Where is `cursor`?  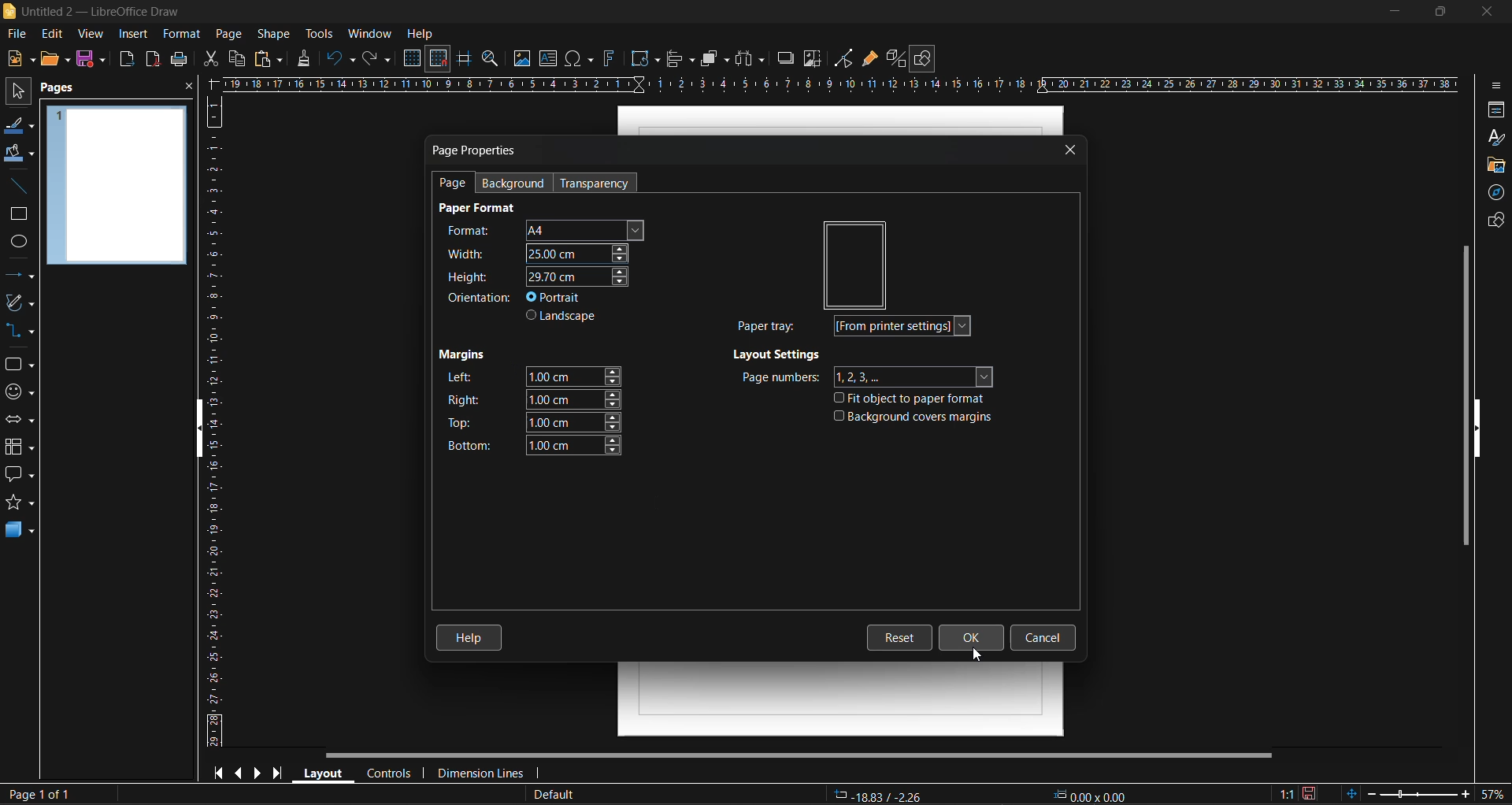 cursor is located at coordinates (976, 657).